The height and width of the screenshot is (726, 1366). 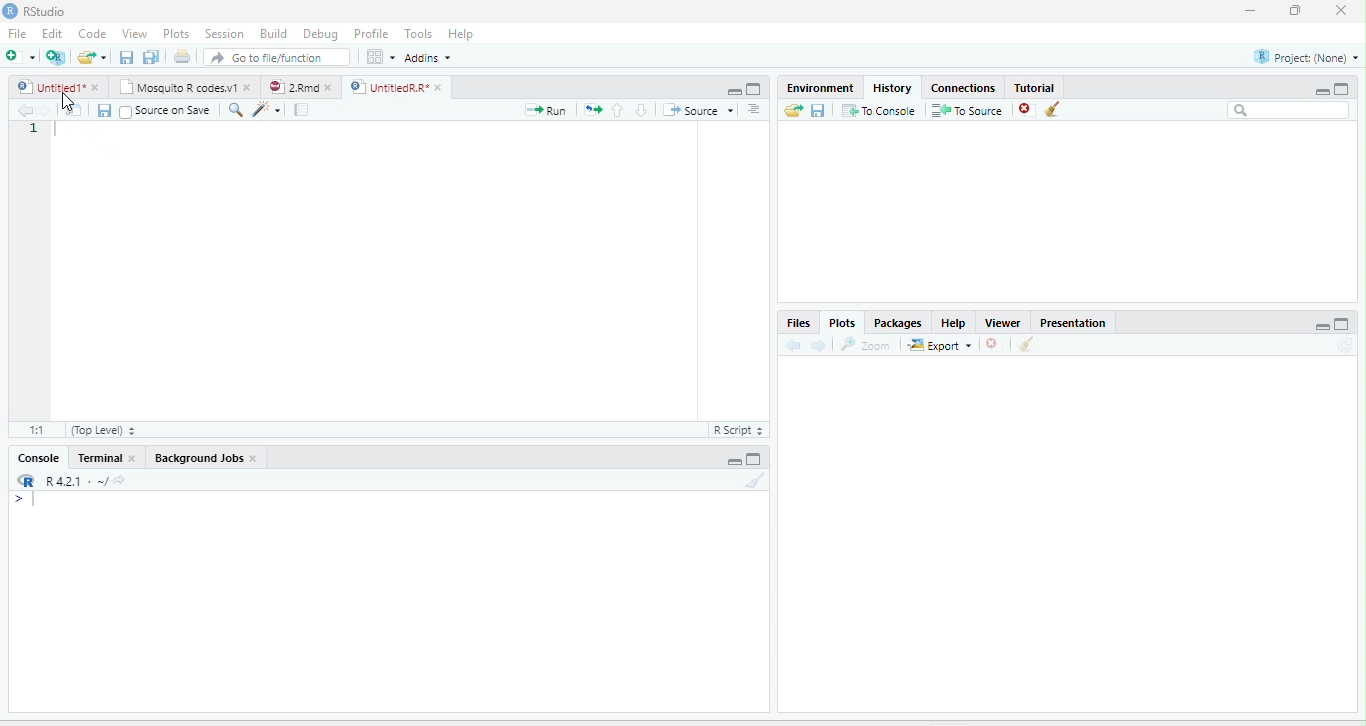 What do you see at coordinates (996, 343) in the screenshot?
I see `Remove current plot` at bounding box center [996, 343].